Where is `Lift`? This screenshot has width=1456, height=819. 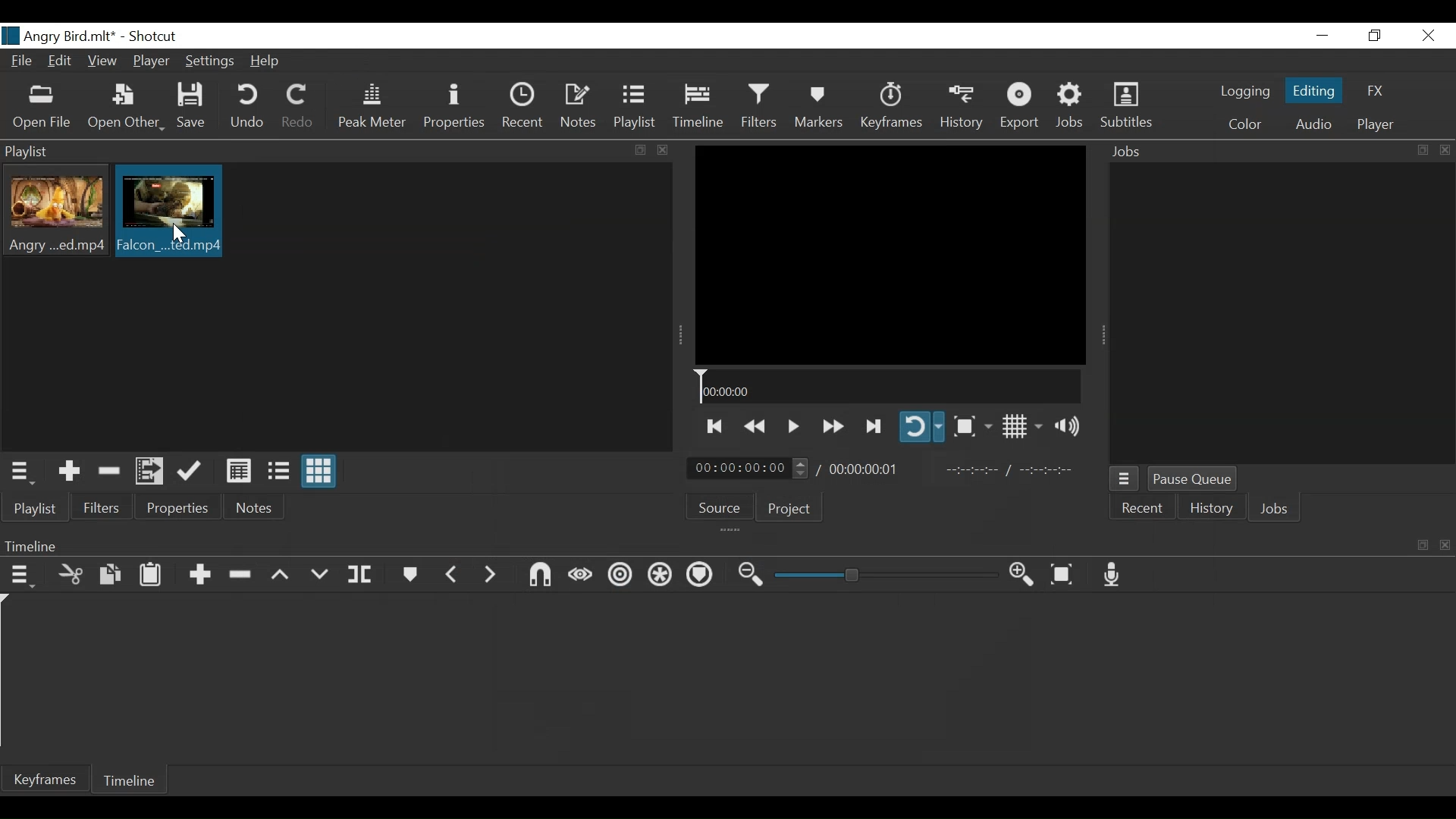
Lift is located at coordinates (283, 576).